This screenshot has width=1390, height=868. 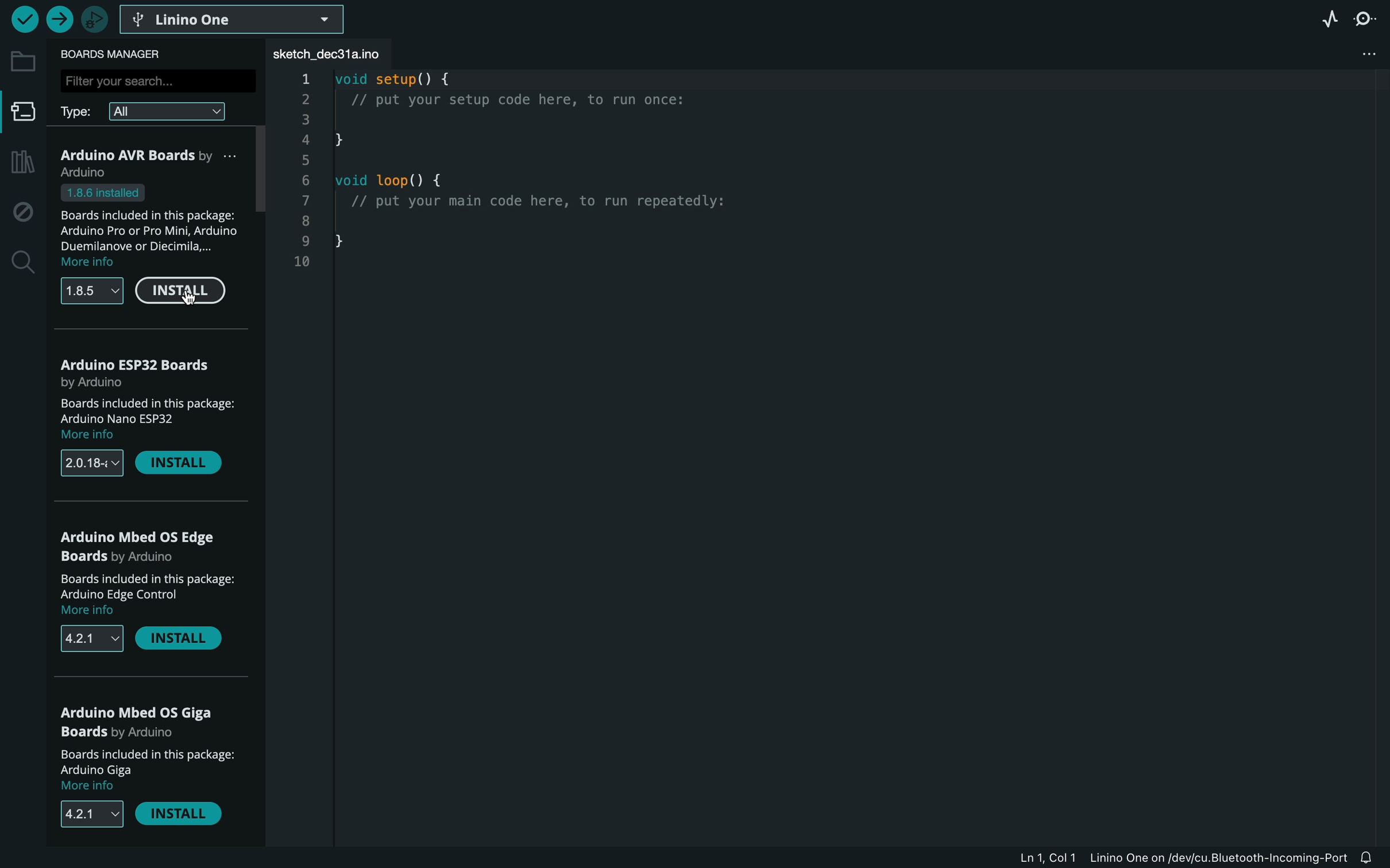 What do you see at coordinates (24, 18) in the screenshot?
I see `verify` at bounding box center [24, 18].